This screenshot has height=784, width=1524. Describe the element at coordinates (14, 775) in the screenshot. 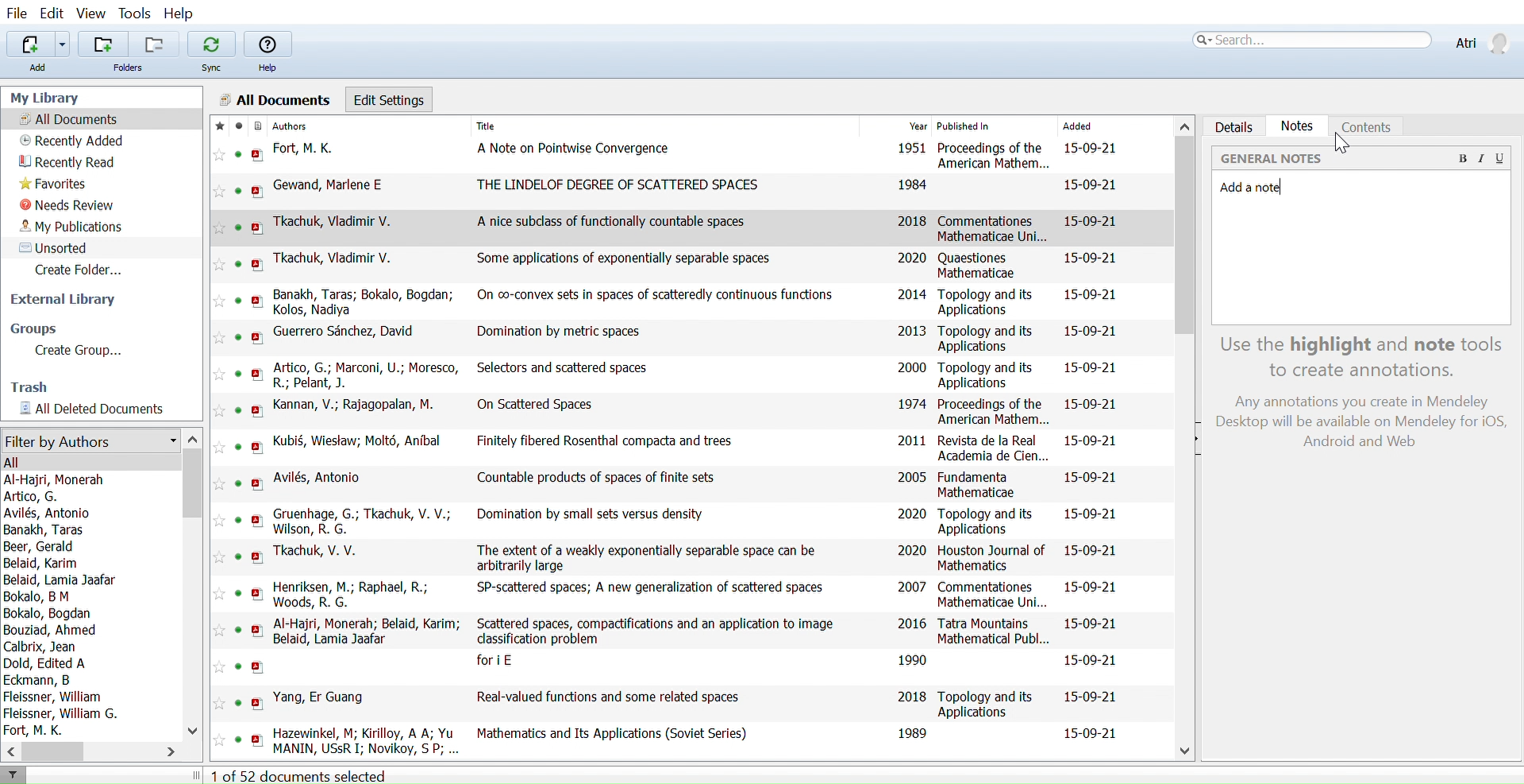

I see `Filter` at that location.